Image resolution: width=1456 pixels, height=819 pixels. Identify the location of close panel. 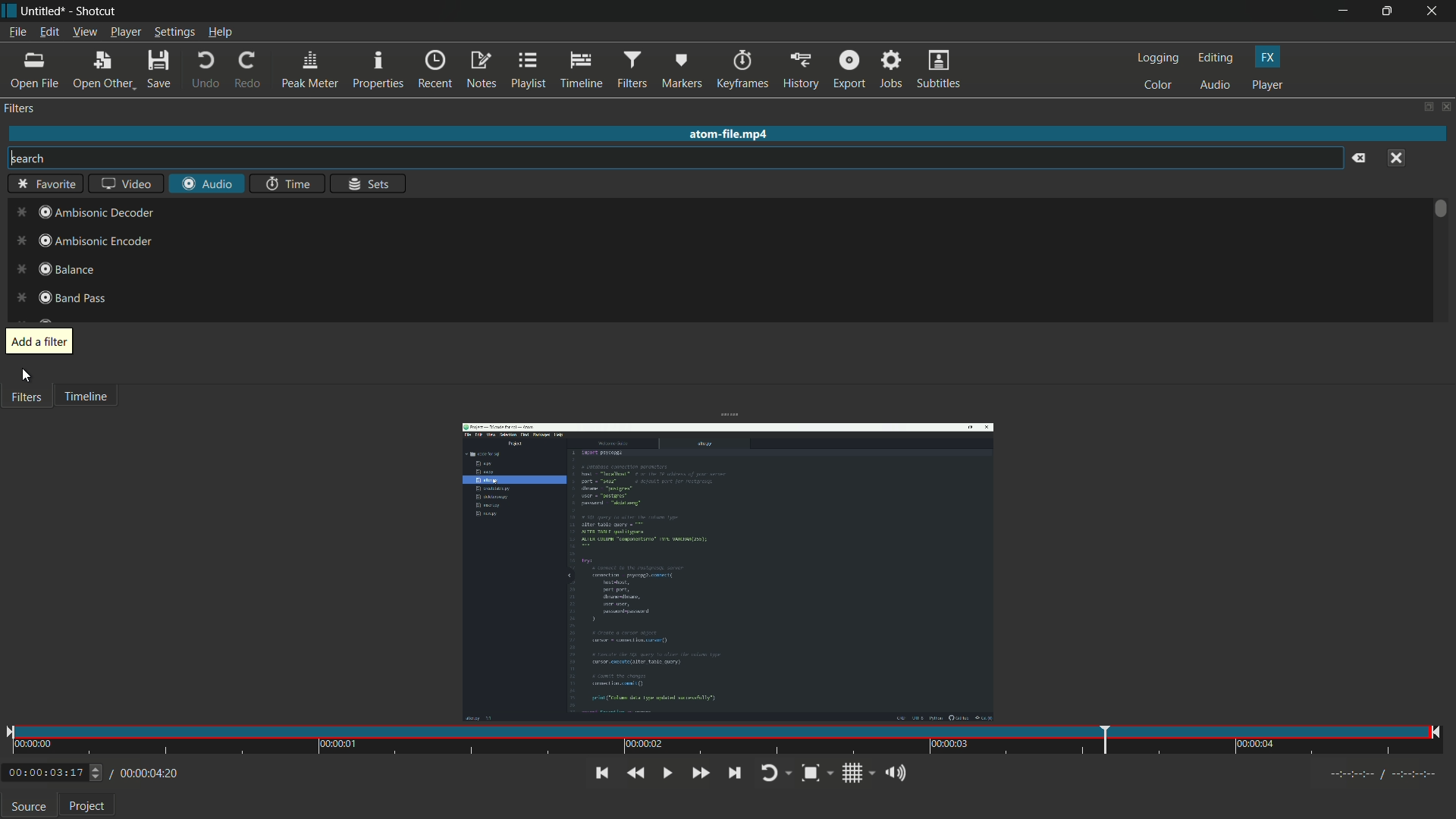
(1447, 106).